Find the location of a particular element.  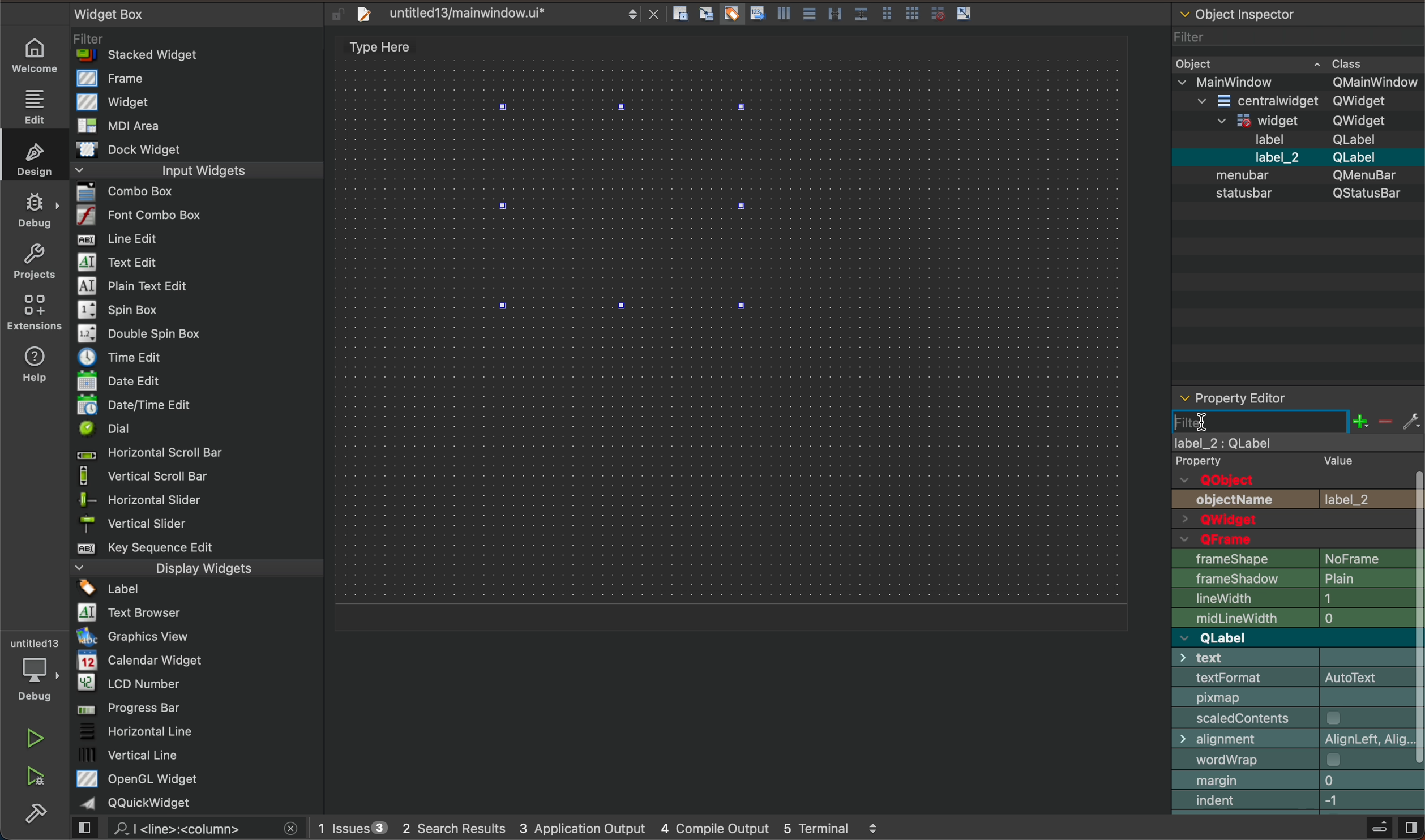

help is located at coordinates (40, 362).